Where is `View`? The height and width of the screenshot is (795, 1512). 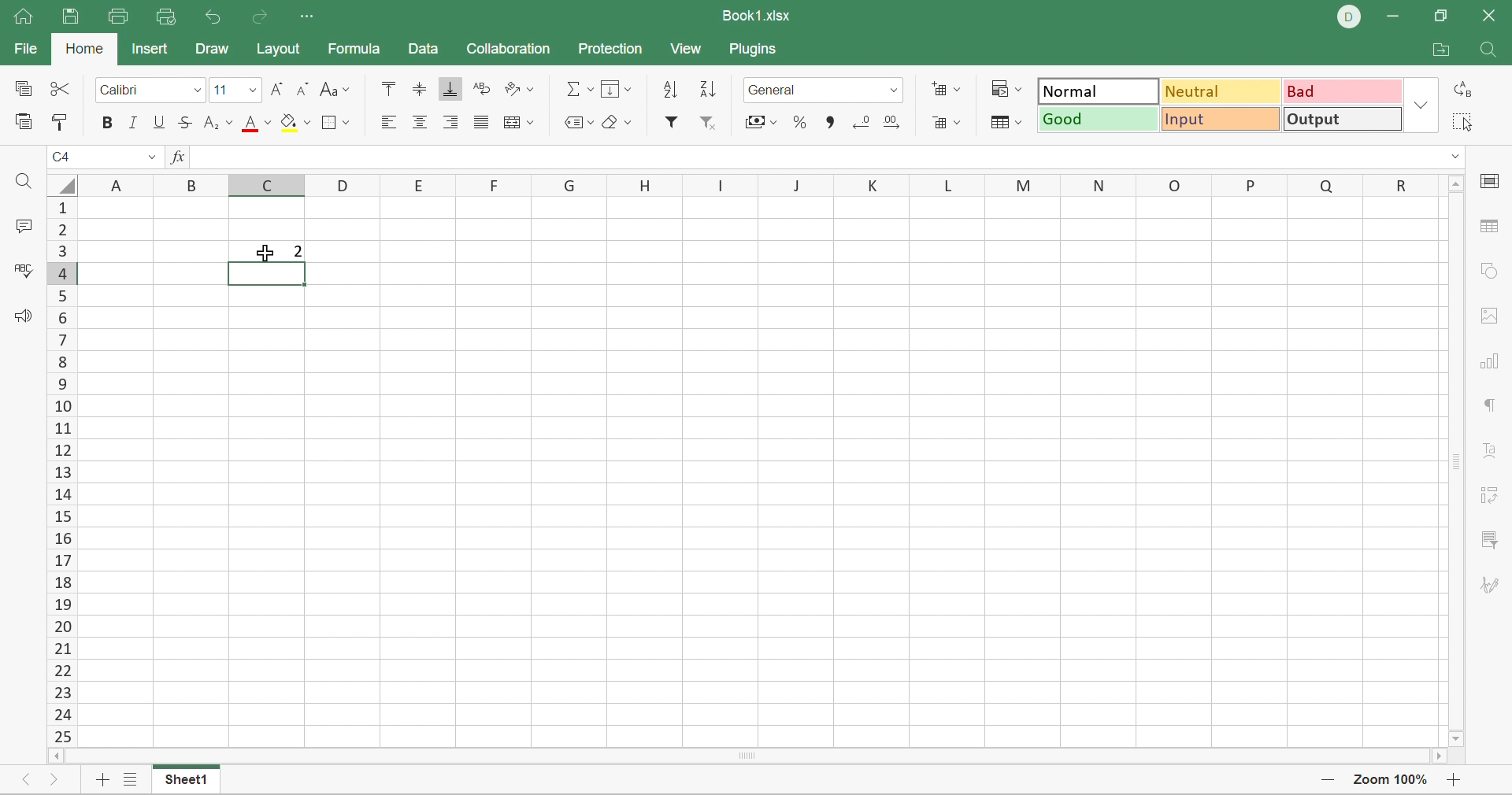 View is located at coordinates (687, 48).